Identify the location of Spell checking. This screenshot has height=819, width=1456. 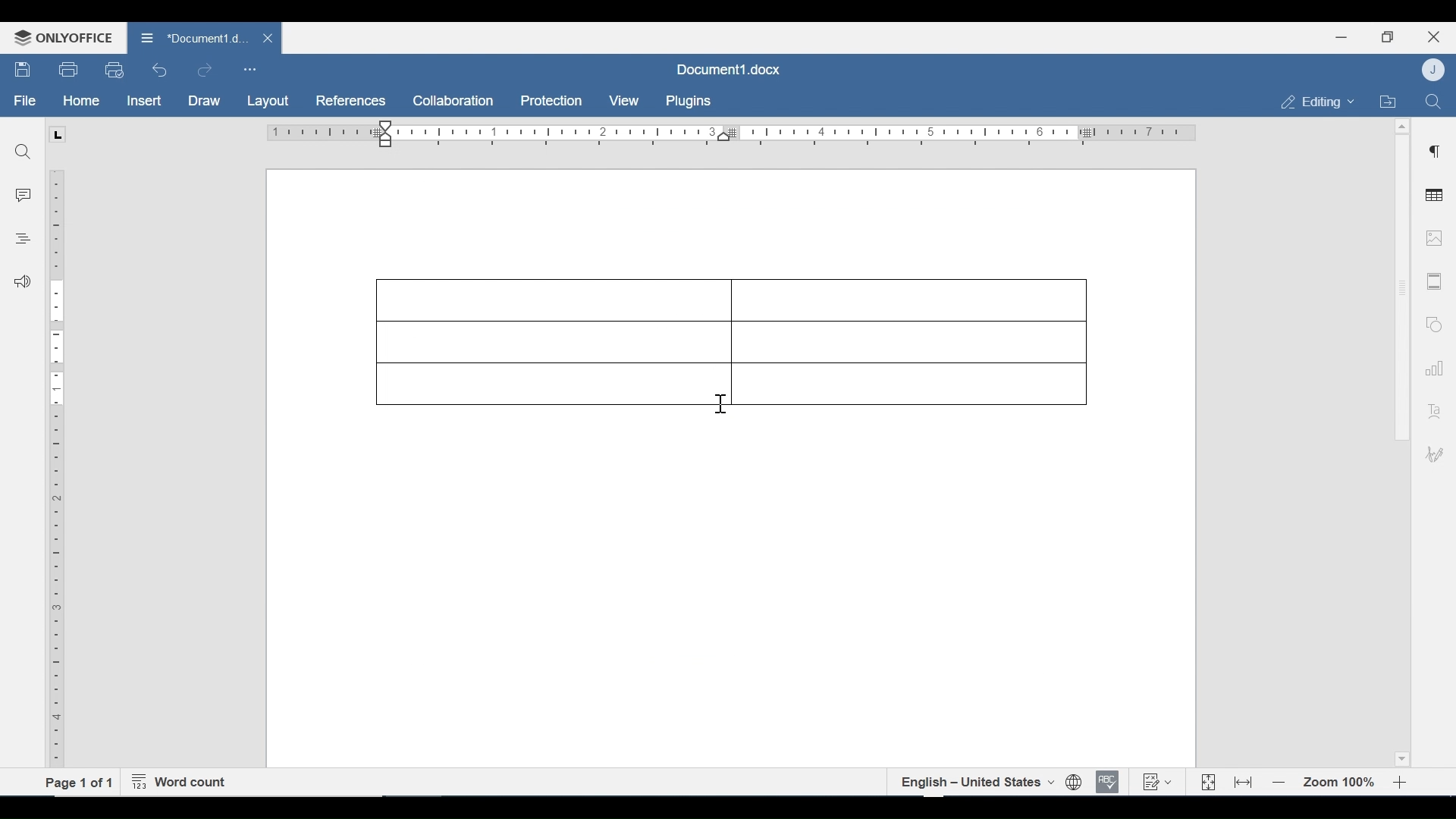
(1108, 782).